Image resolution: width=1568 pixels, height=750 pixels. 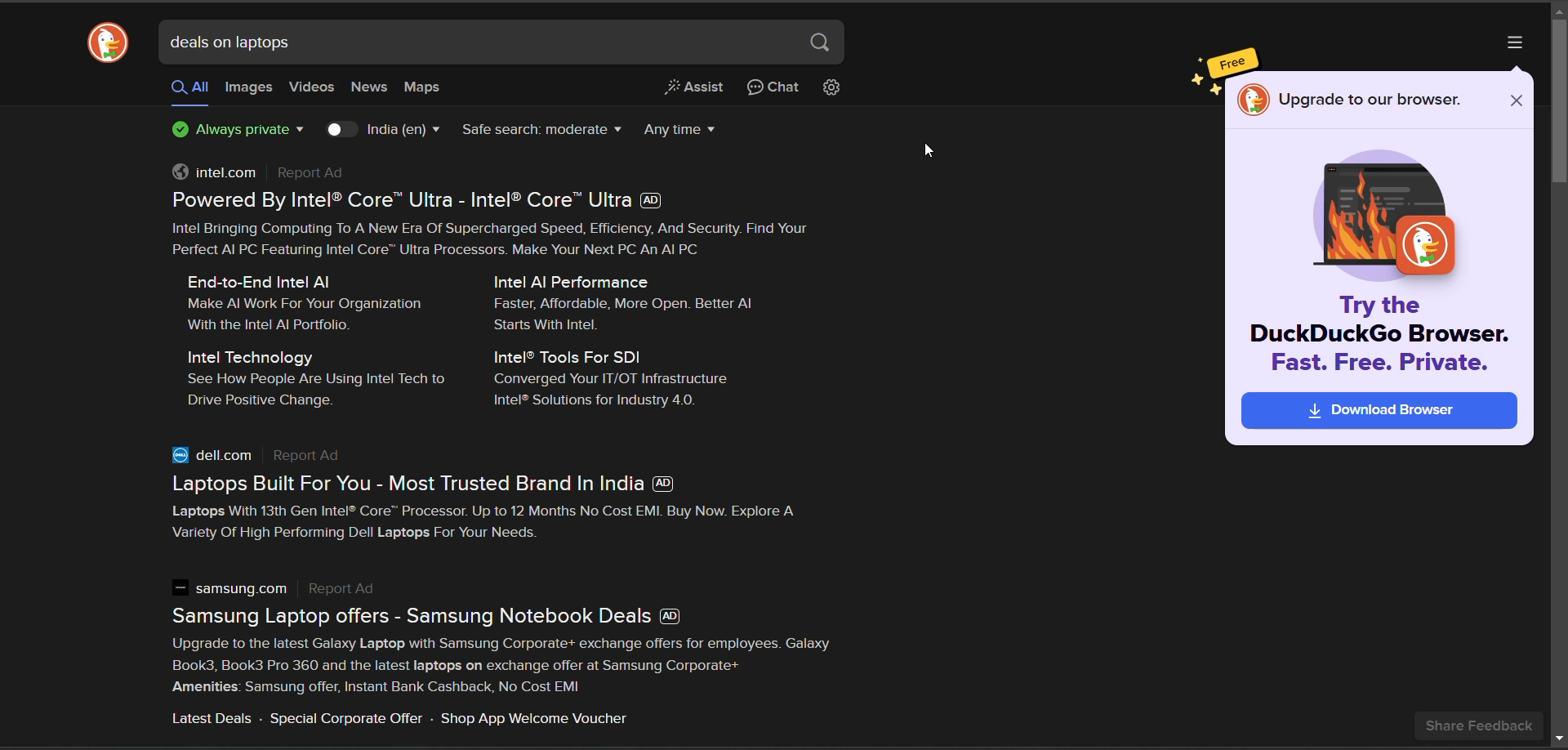 What do you see at coordinates (1379, 261) in the screenshot?
I see `|mage and caption` at bounding box center [1379, 261].